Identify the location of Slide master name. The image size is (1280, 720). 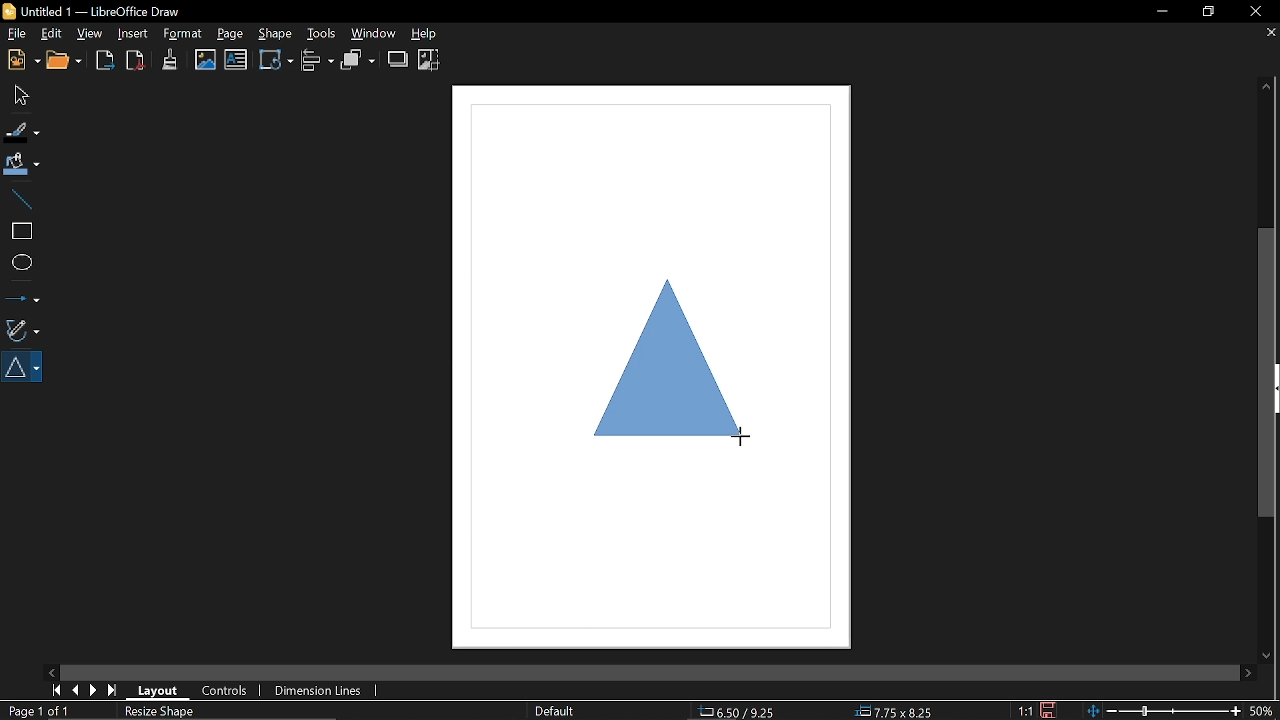
(554, 711).